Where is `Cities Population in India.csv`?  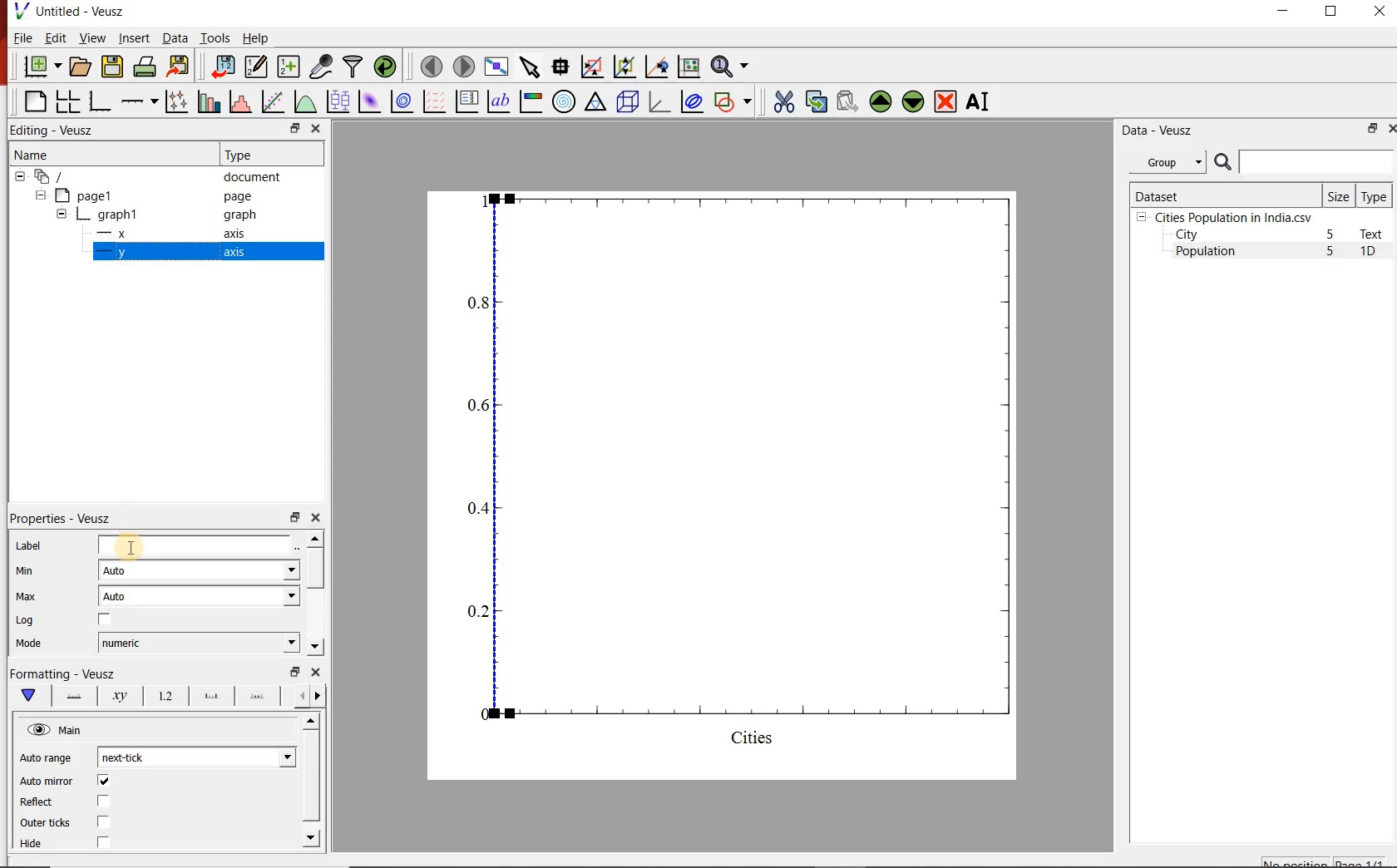 Cities Population in India.csv is located at coordinates (1232, 217).